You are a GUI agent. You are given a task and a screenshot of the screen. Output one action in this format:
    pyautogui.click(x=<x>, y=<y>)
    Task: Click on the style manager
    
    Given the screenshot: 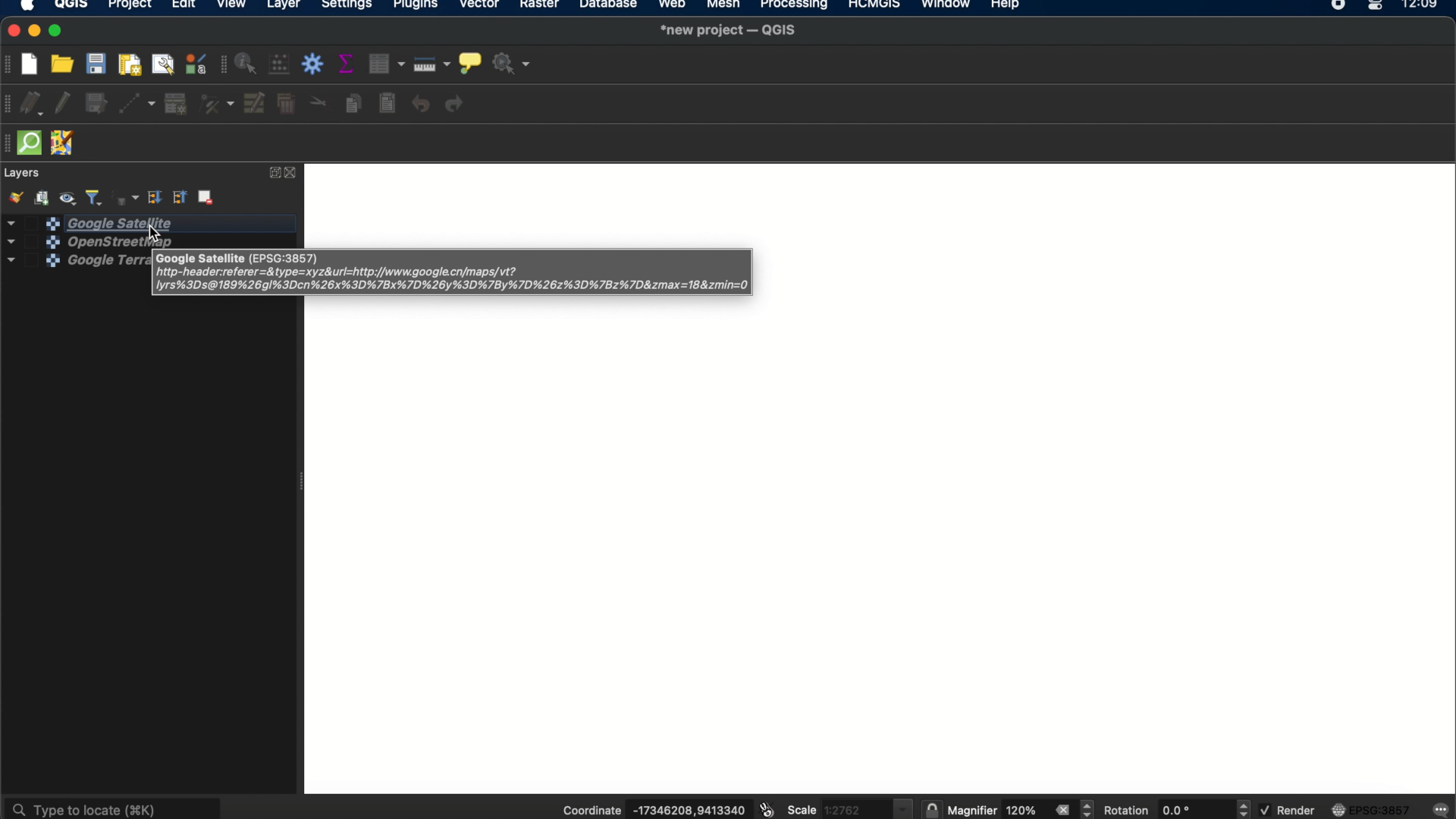 What is the action you would take?
    pyautogui.click(x=195, y=64)
    